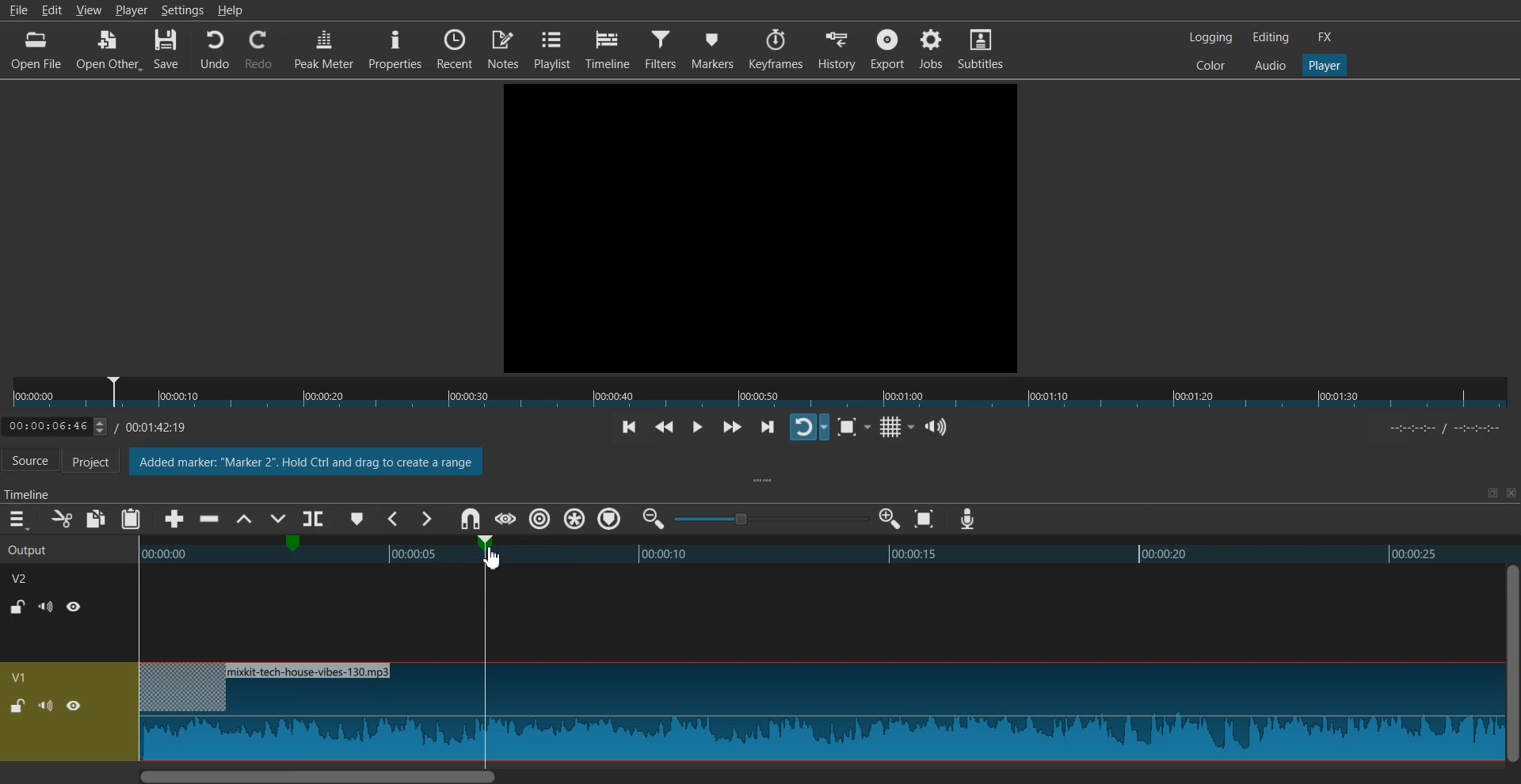 This screenshot has height=784, width=1521. Describe the element at coordinates (175, 519) in the screenshot. I see `Append ` at that location.